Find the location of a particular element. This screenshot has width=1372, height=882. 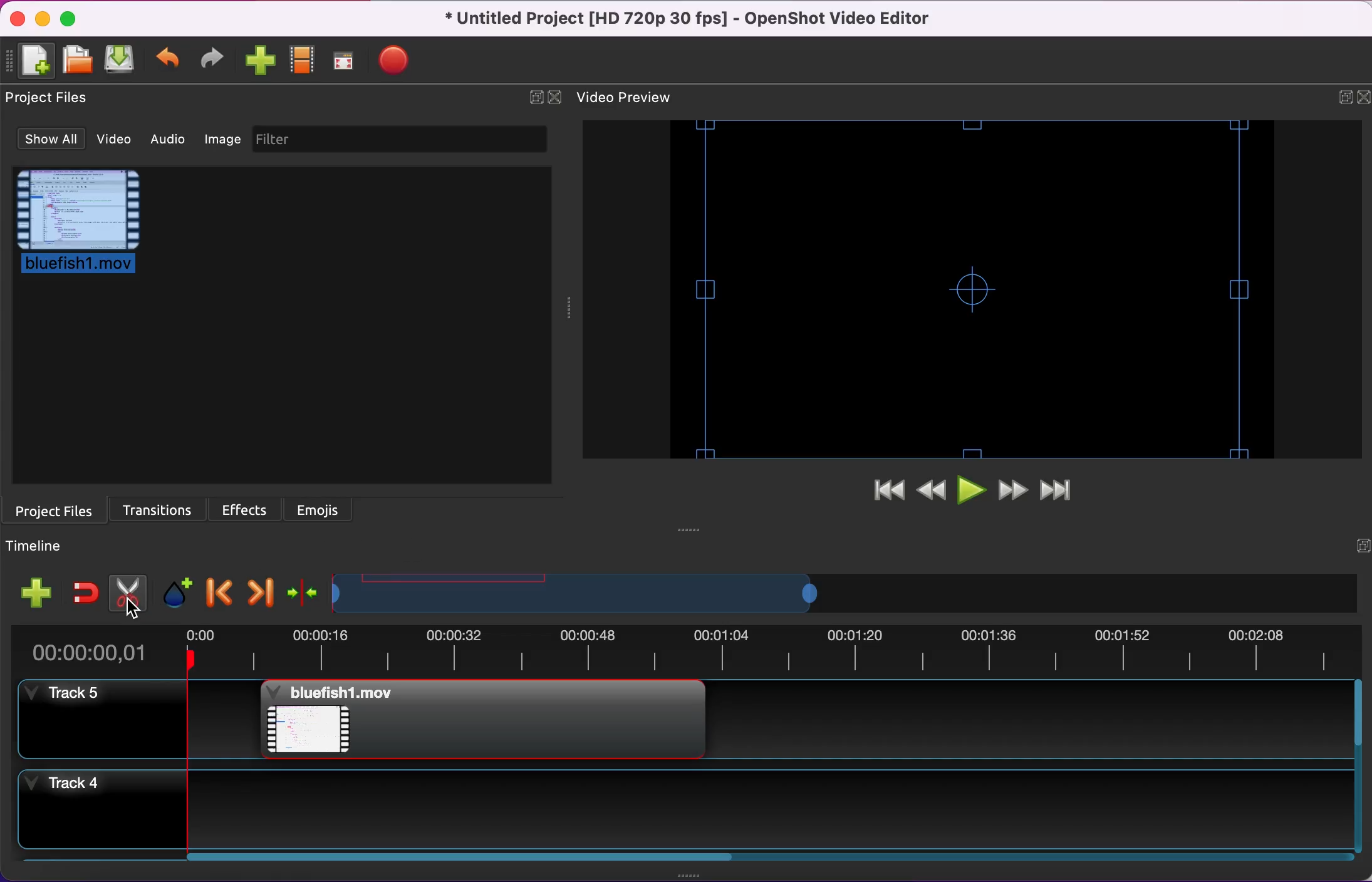

project files is located at coordinates (55, 509).